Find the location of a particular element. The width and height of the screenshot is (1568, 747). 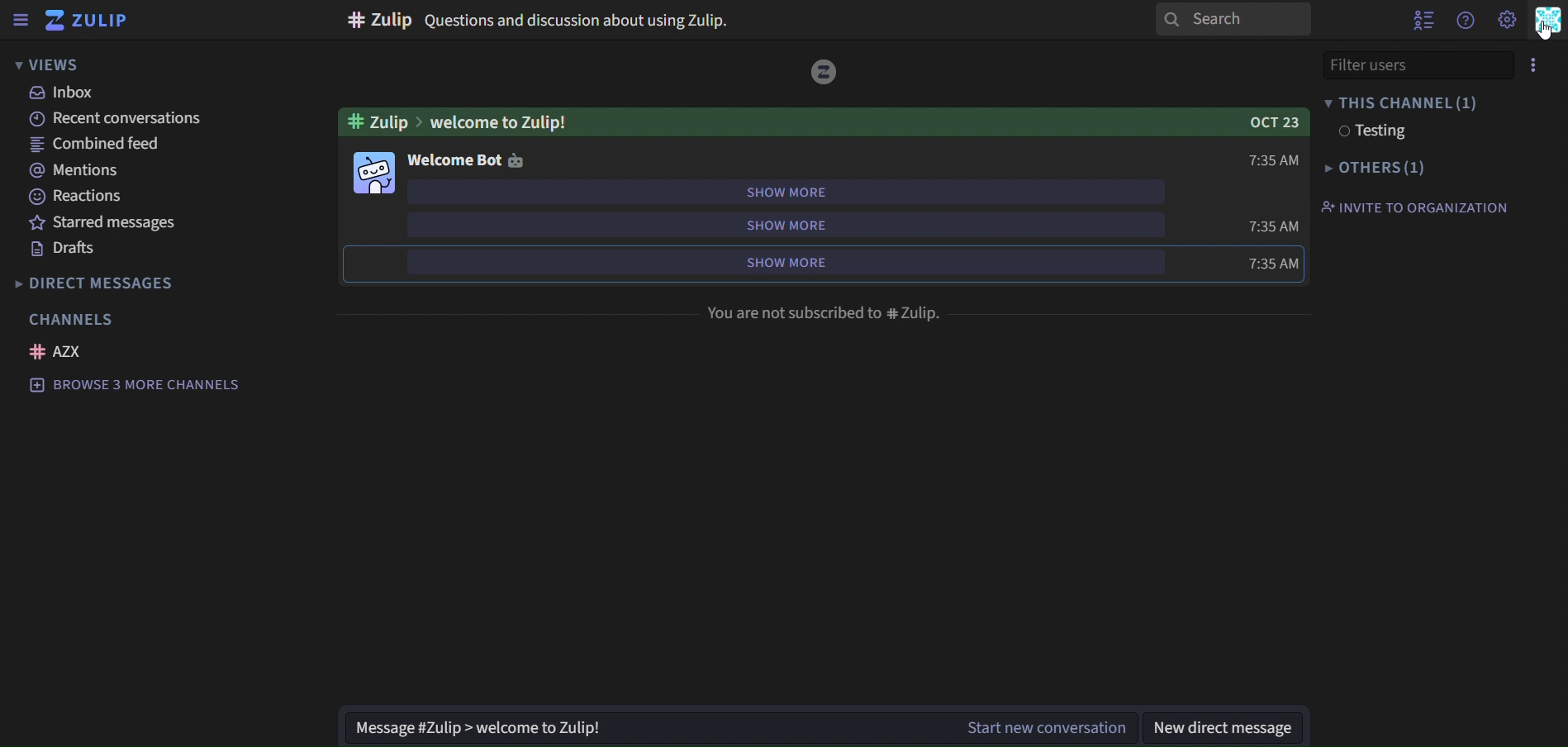

hide user list is located at coordinates (1419, 20).